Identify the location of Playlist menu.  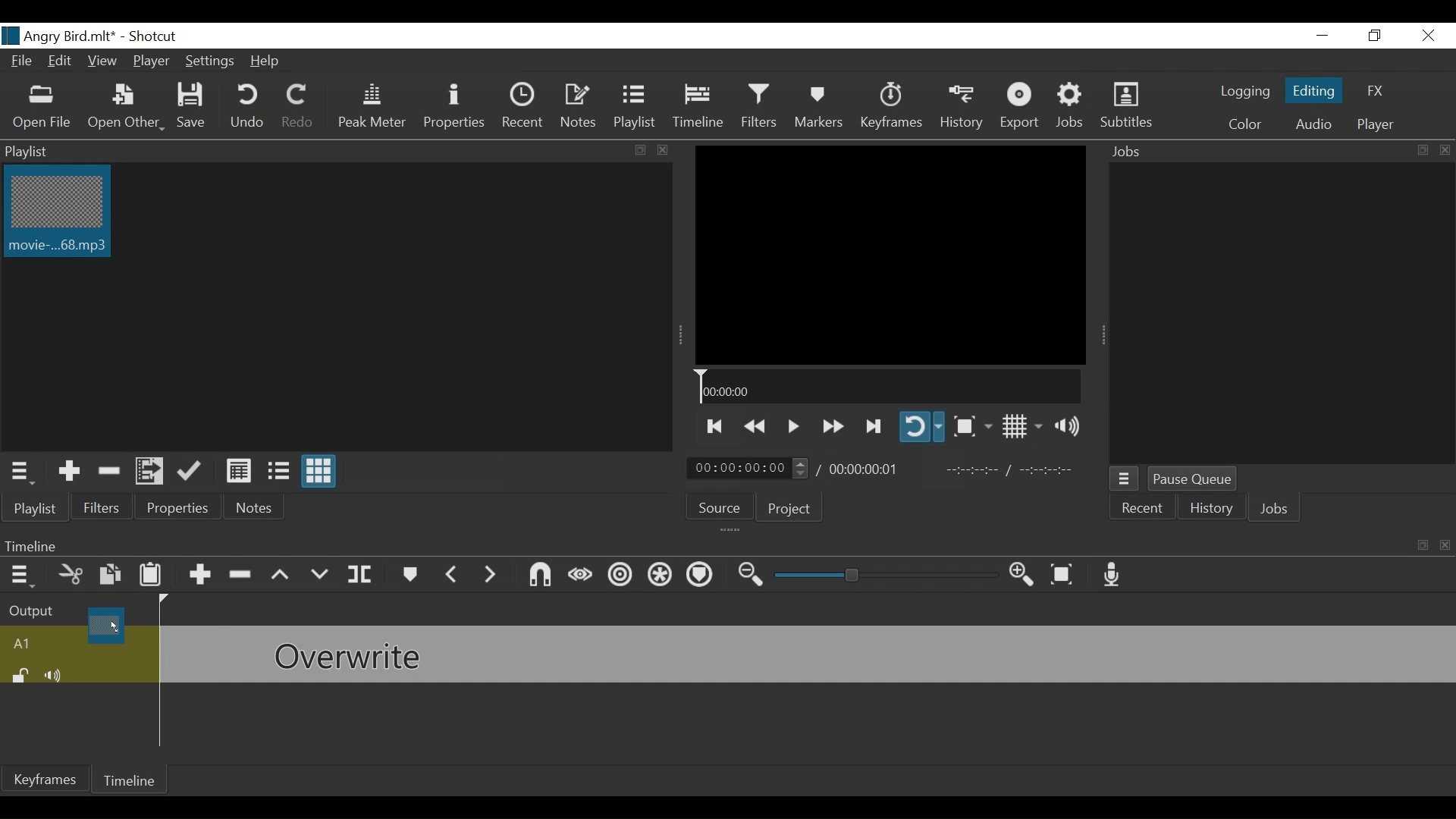
(27, 471).